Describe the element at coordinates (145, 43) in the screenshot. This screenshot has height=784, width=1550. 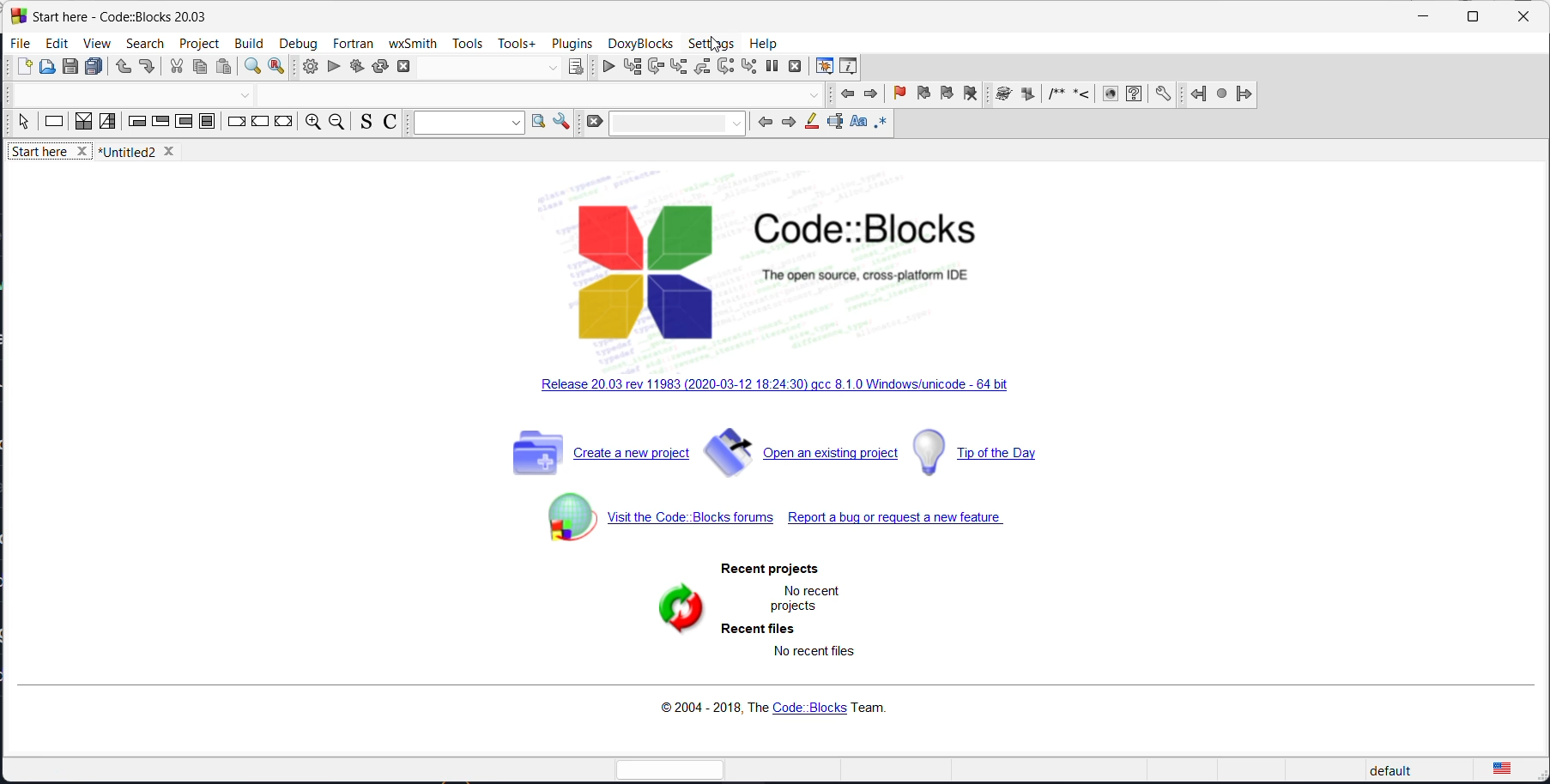
I see `search` at that location.